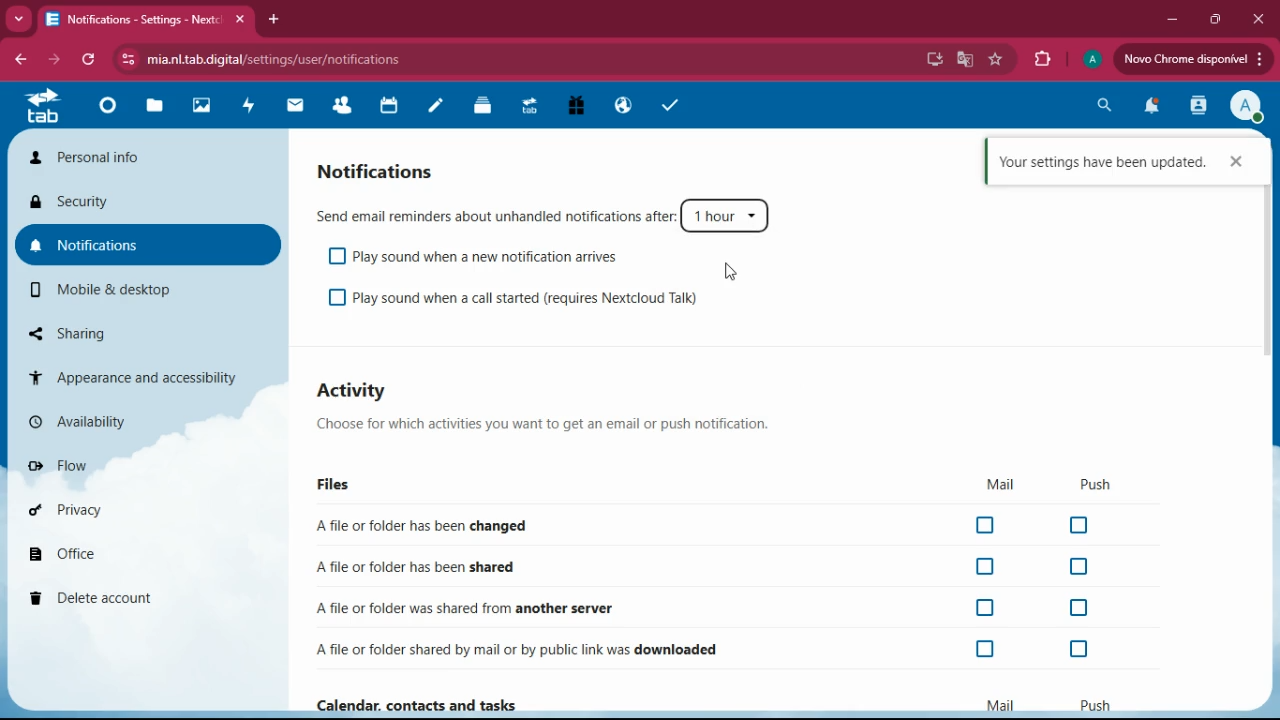 The width and height of the screenshot is (1280, 720). What do you see at coordinates (108, 333) in the screenshot?
I see `sharing` at bounding box center [108, 333].